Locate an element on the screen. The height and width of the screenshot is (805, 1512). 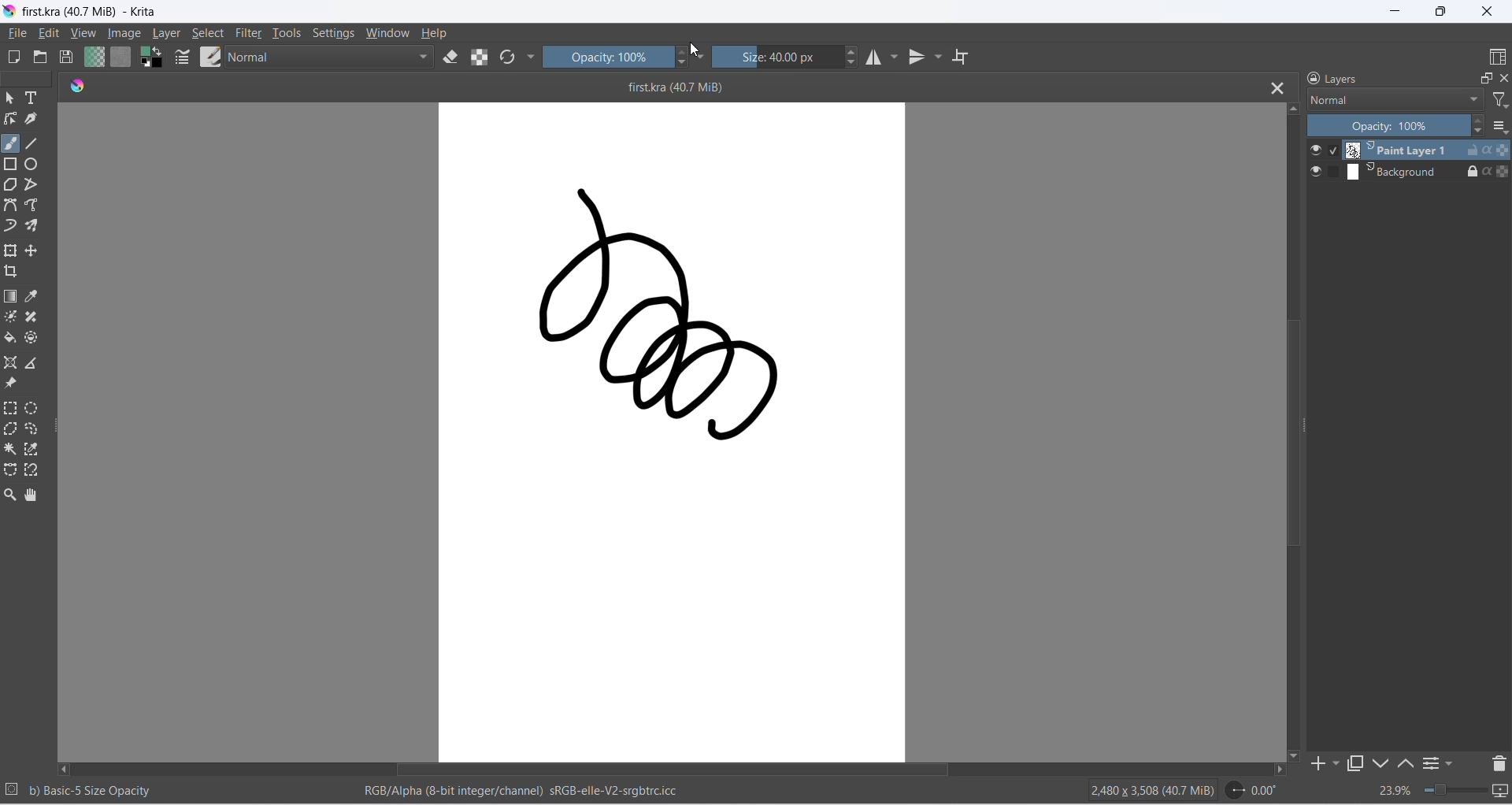
tools is located at coordinates (287, 33).